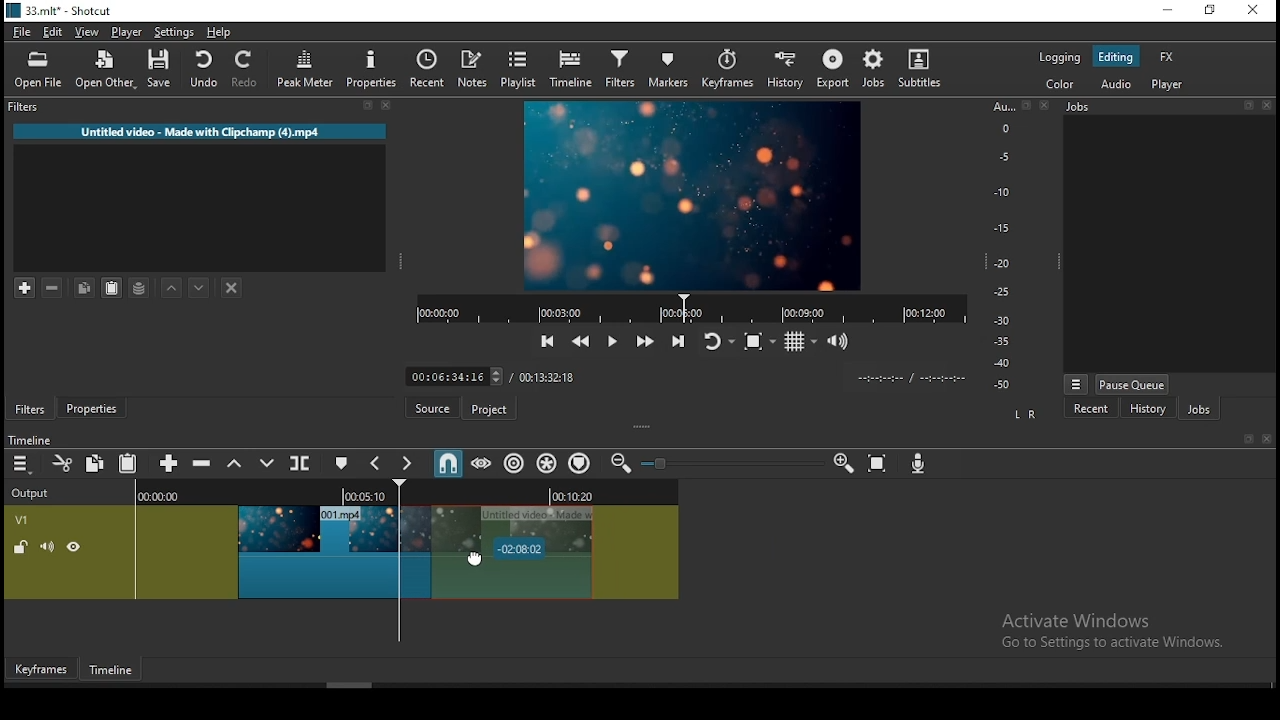  I want to click on options, so click(1076, 382).